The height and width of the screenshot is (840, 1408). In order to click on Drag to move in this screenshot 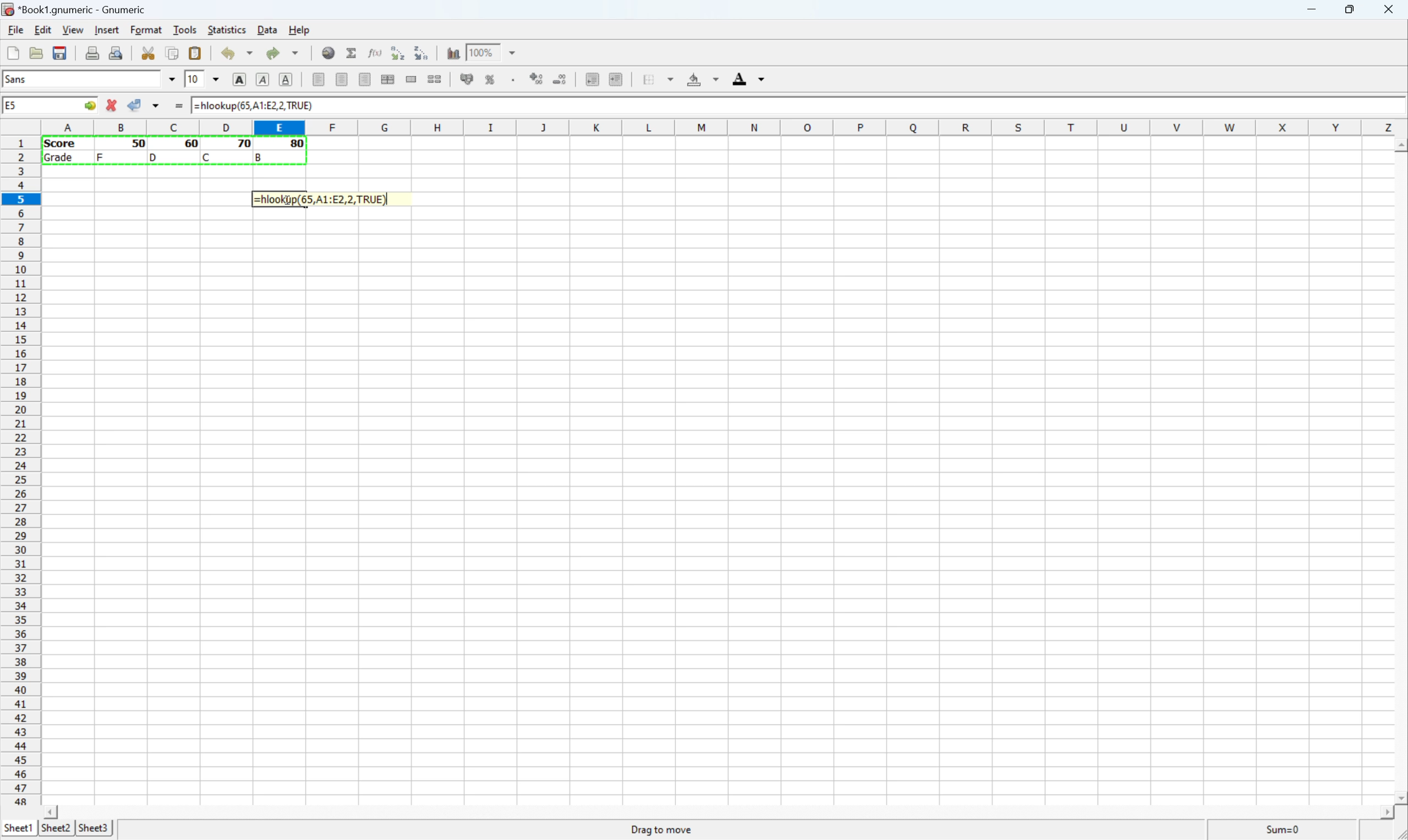, I will do `click(662, 831)`.